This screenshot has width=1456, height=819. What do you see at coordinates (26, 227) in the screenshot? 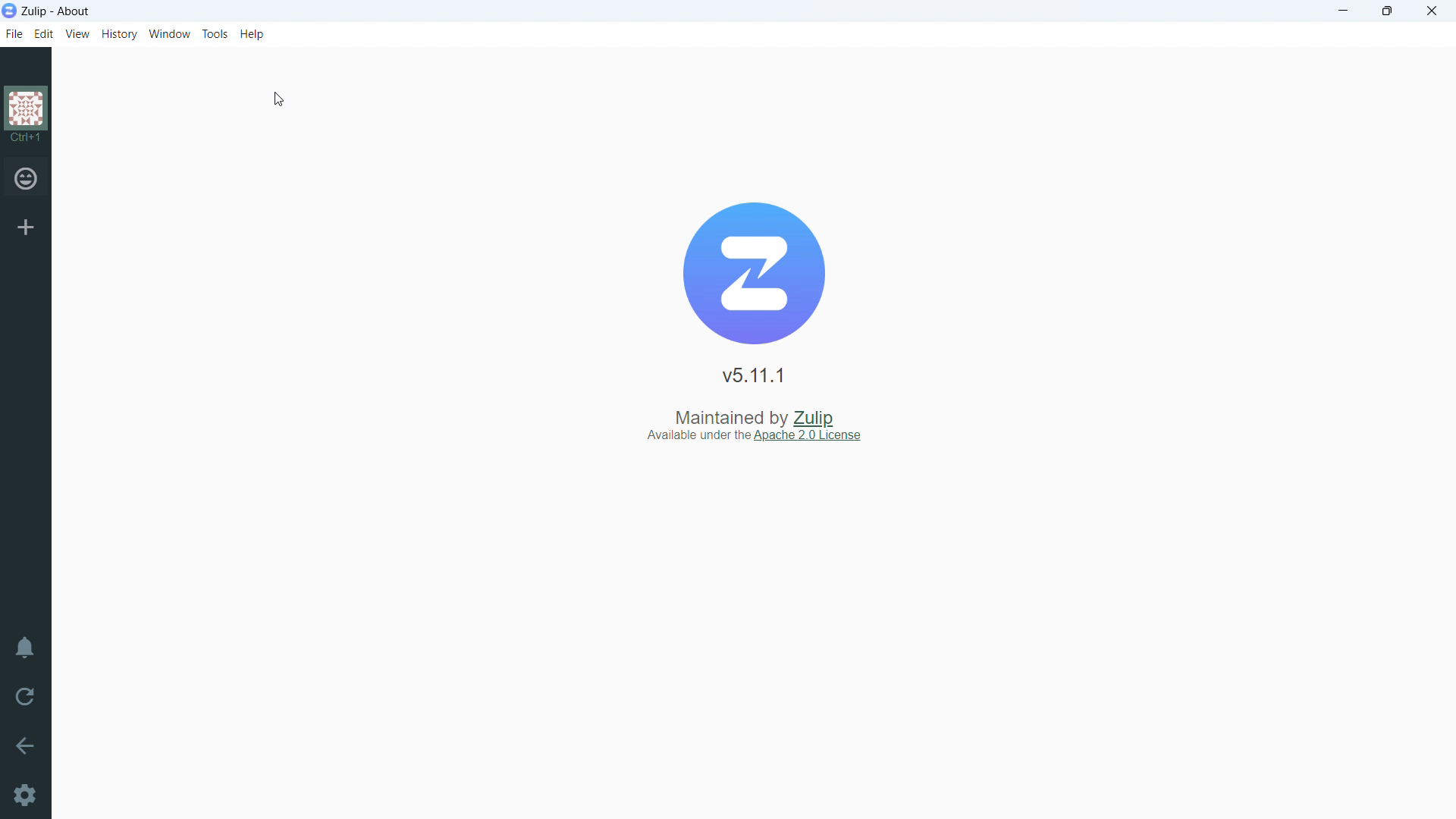
I see `add organization` at bounding box center [26, 227].